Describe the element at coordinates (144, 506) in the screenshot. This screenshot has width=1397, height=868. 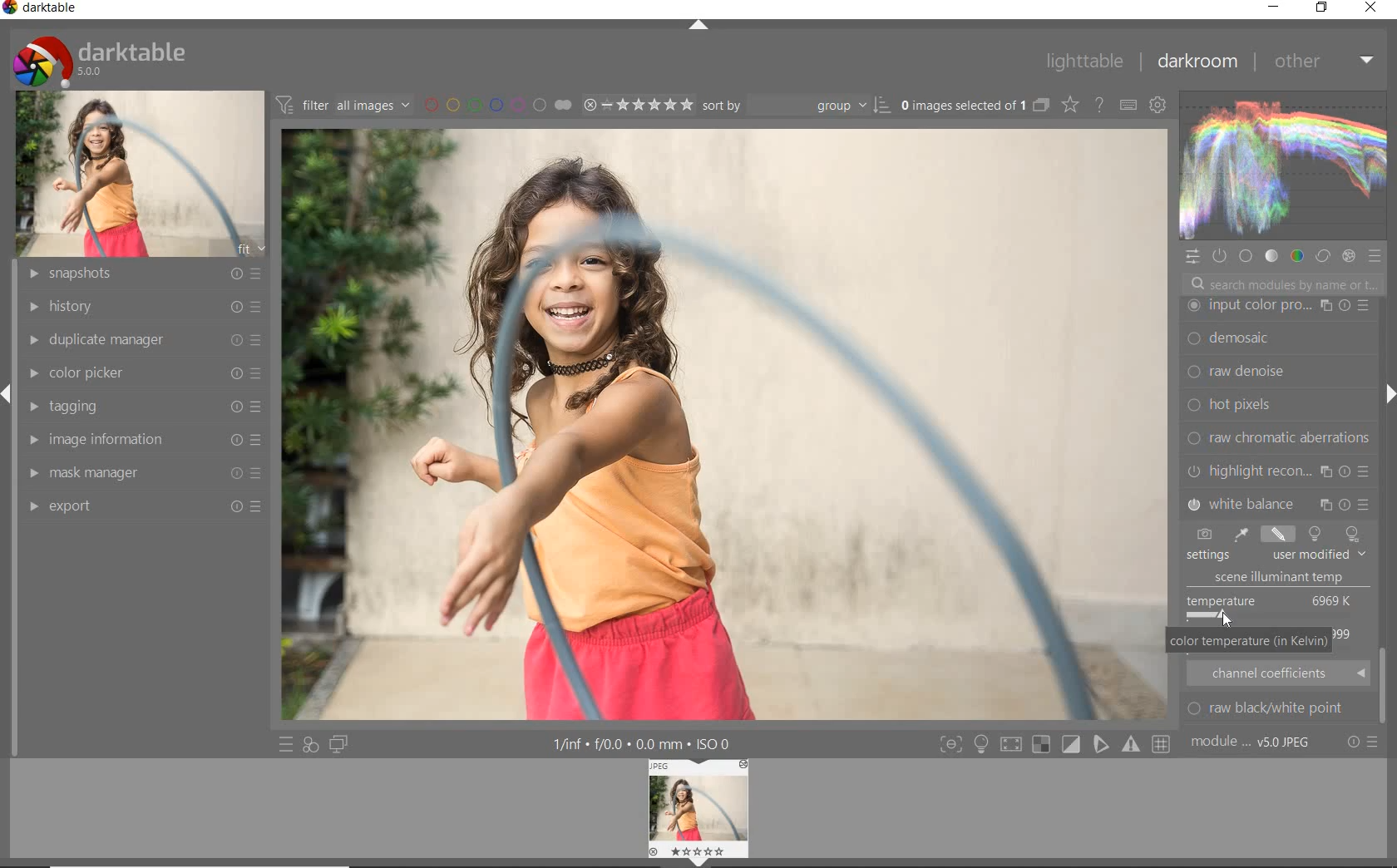
I see `export` at that location.